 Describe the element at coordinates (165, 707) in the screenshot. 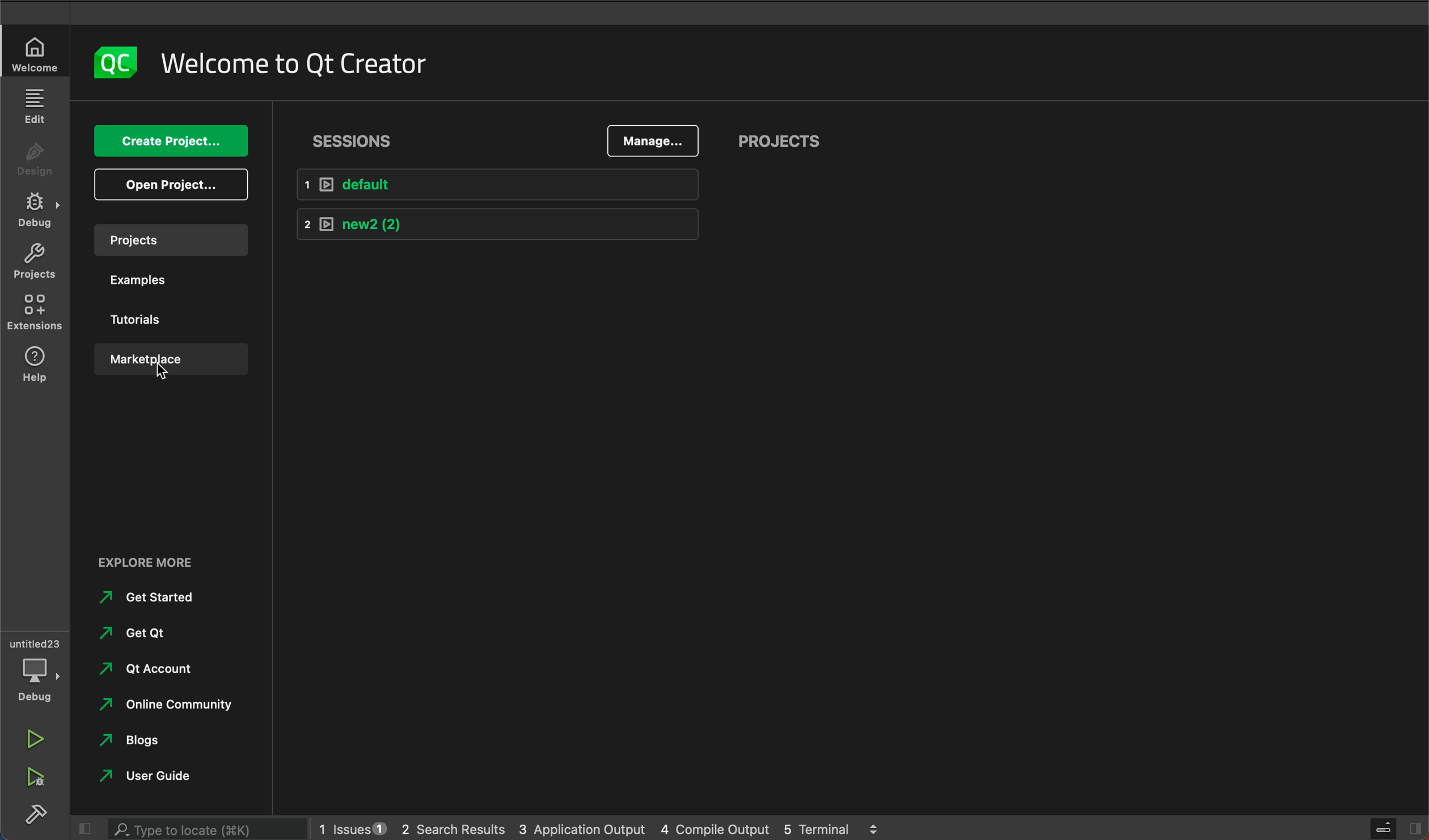

I see `` at that location.